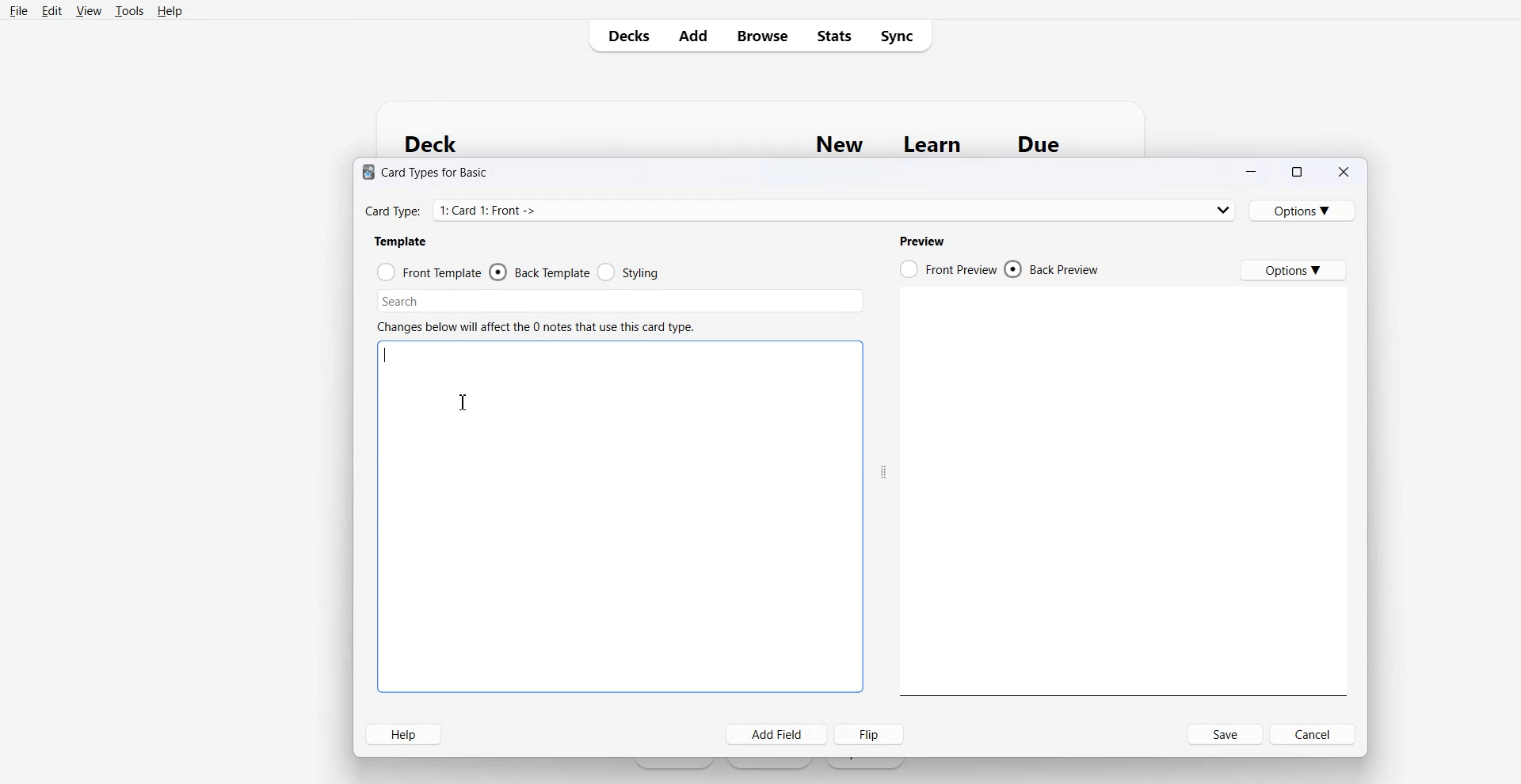 This screenshot has height=784, width=1521. Describe the element at coordinates (464, 403) in the screenshot. I see `Text Cursor` at that location.